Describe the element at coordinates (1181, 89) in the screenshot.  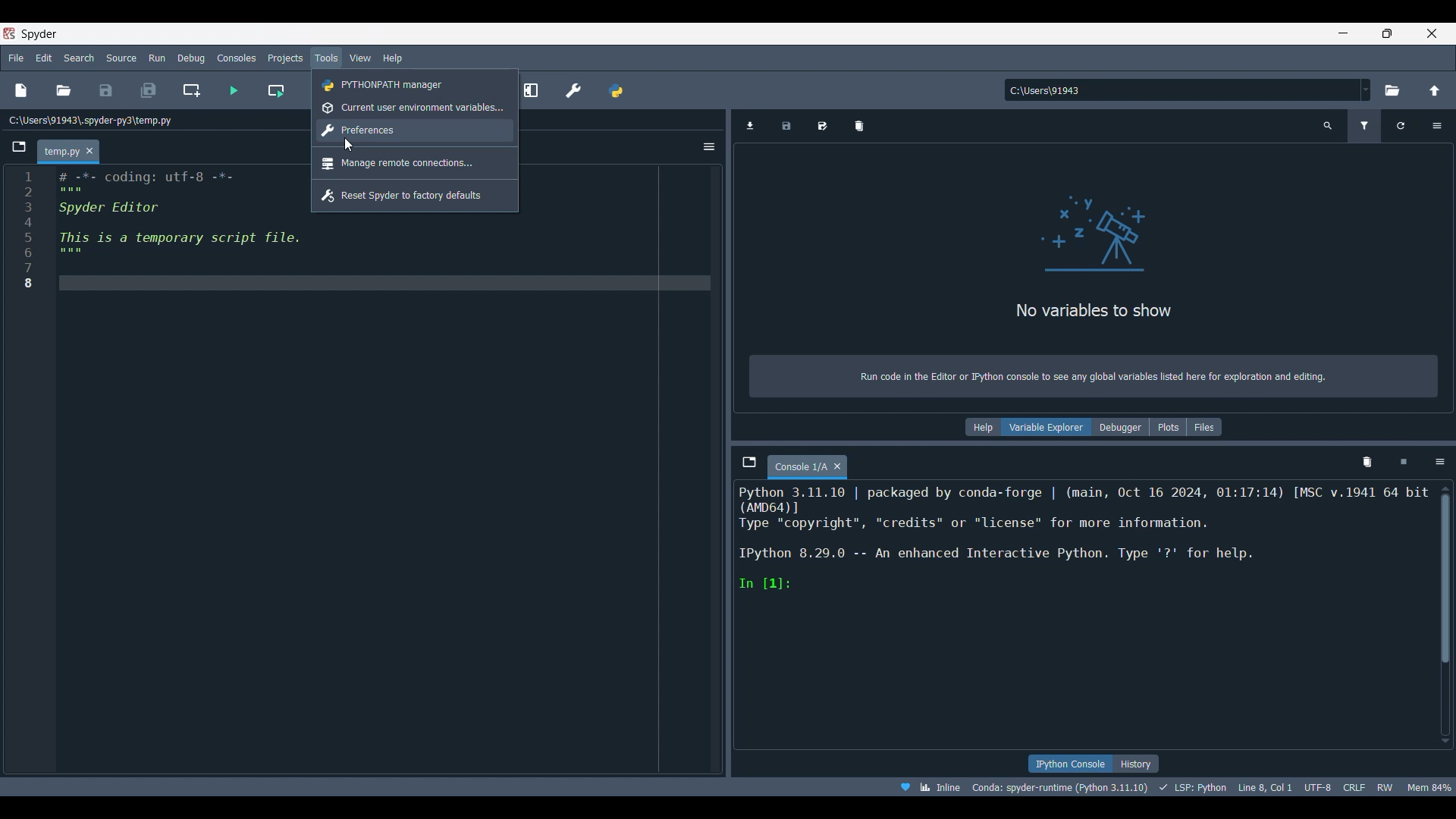
I see `Input location` at that location.